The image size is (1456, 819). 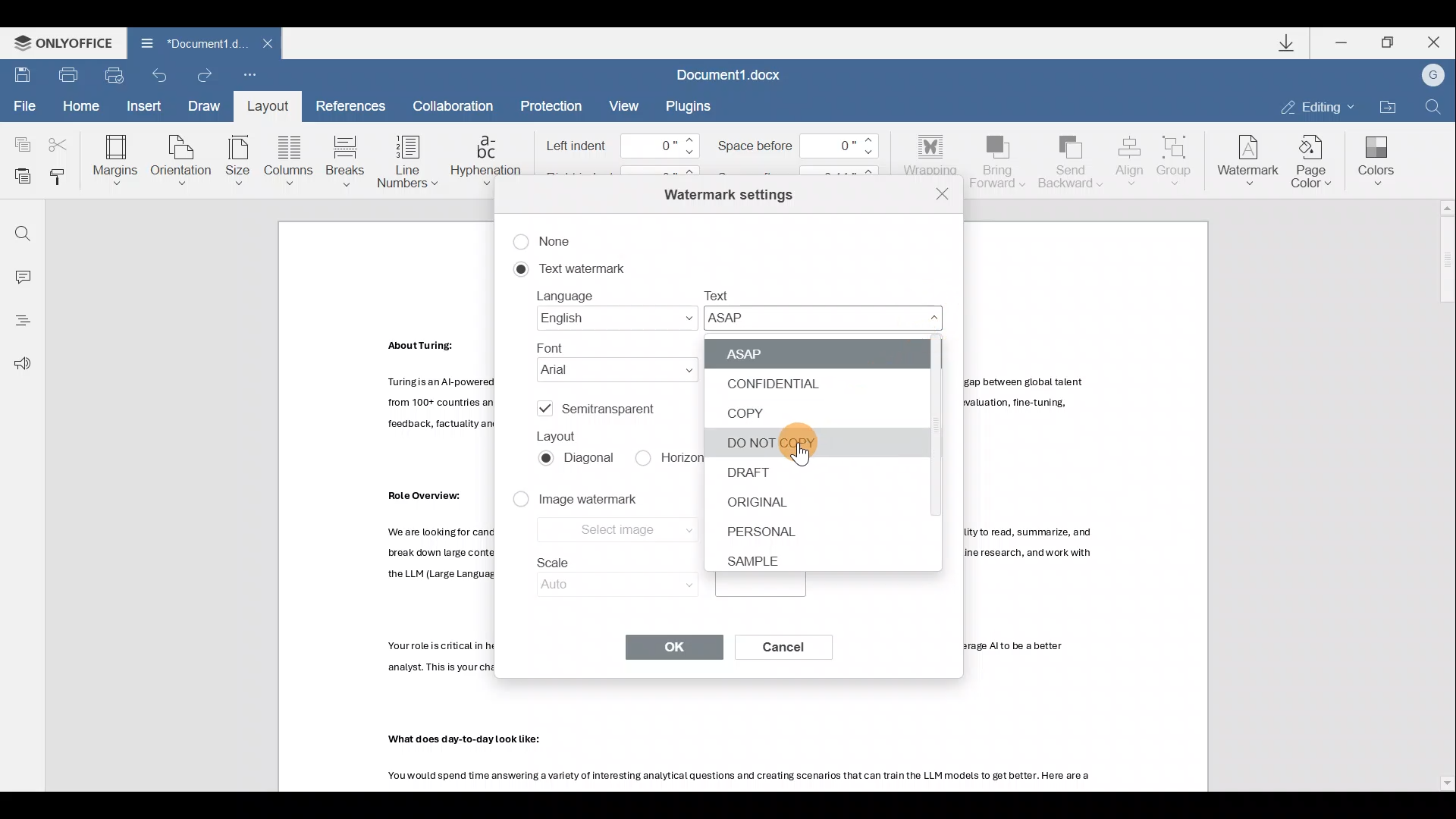 What do you see at coordinates (349, 105) in the screenshot?
I see `References` at bounding box center [349, 105].